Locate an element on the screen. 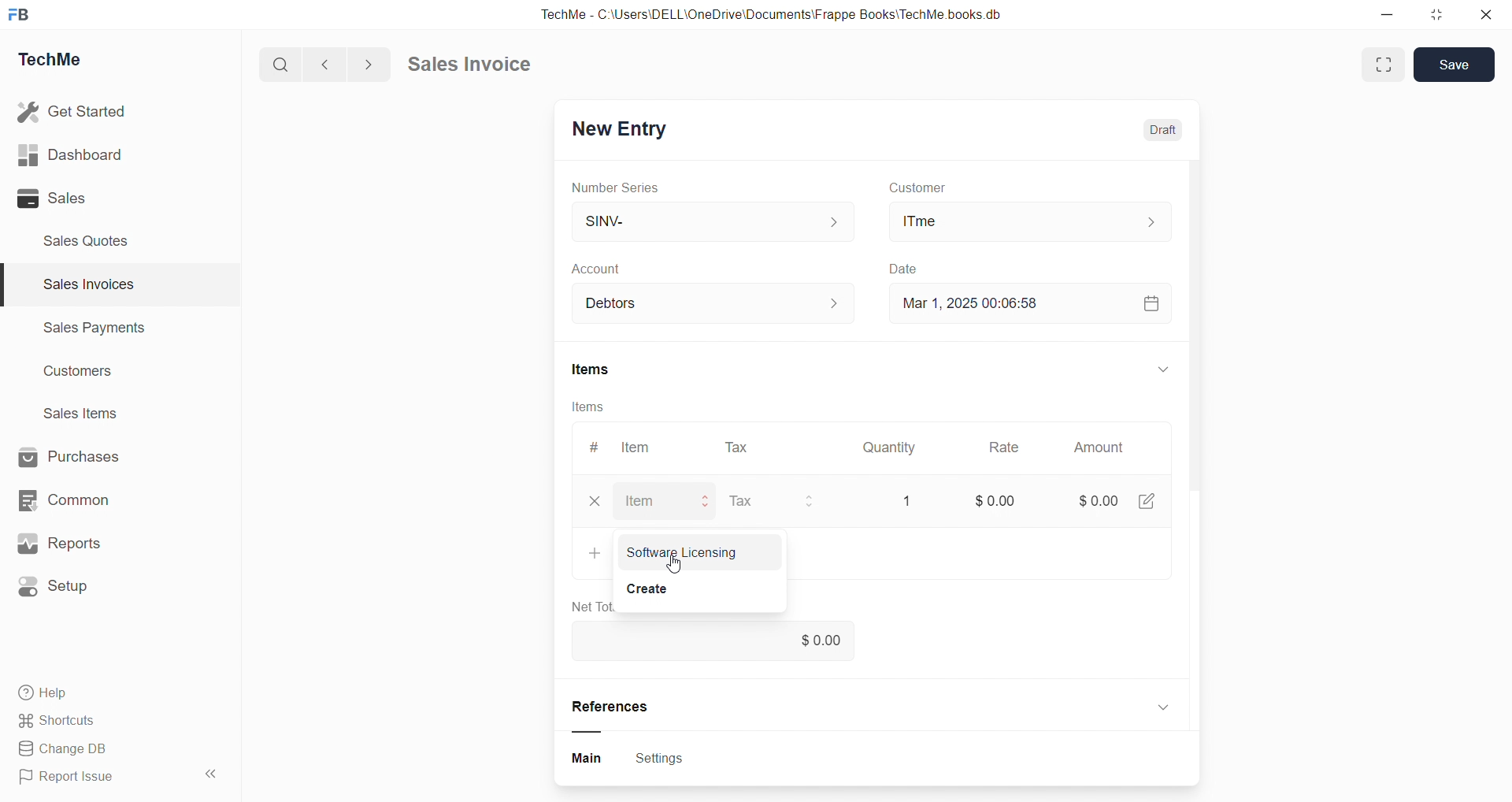 Image resolution: width=1512 pixels, height=802 pixels. TechMe - C-\Users\DELL\OneDrive\Documents\Frappe Books'TechMe books db is located at coordinates (787, 12).